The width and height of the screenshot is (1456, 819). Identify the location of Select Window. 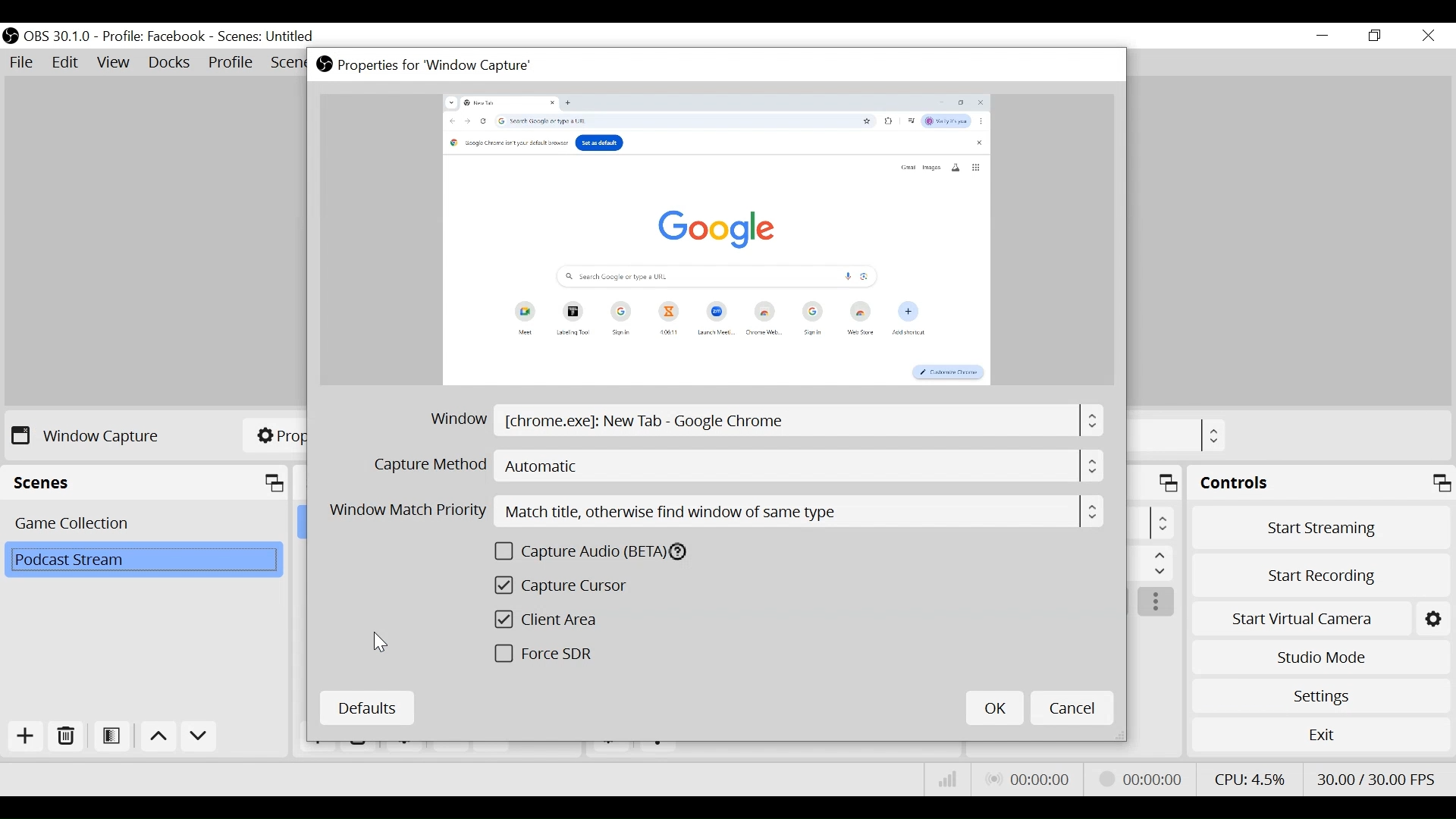
(767, 422).